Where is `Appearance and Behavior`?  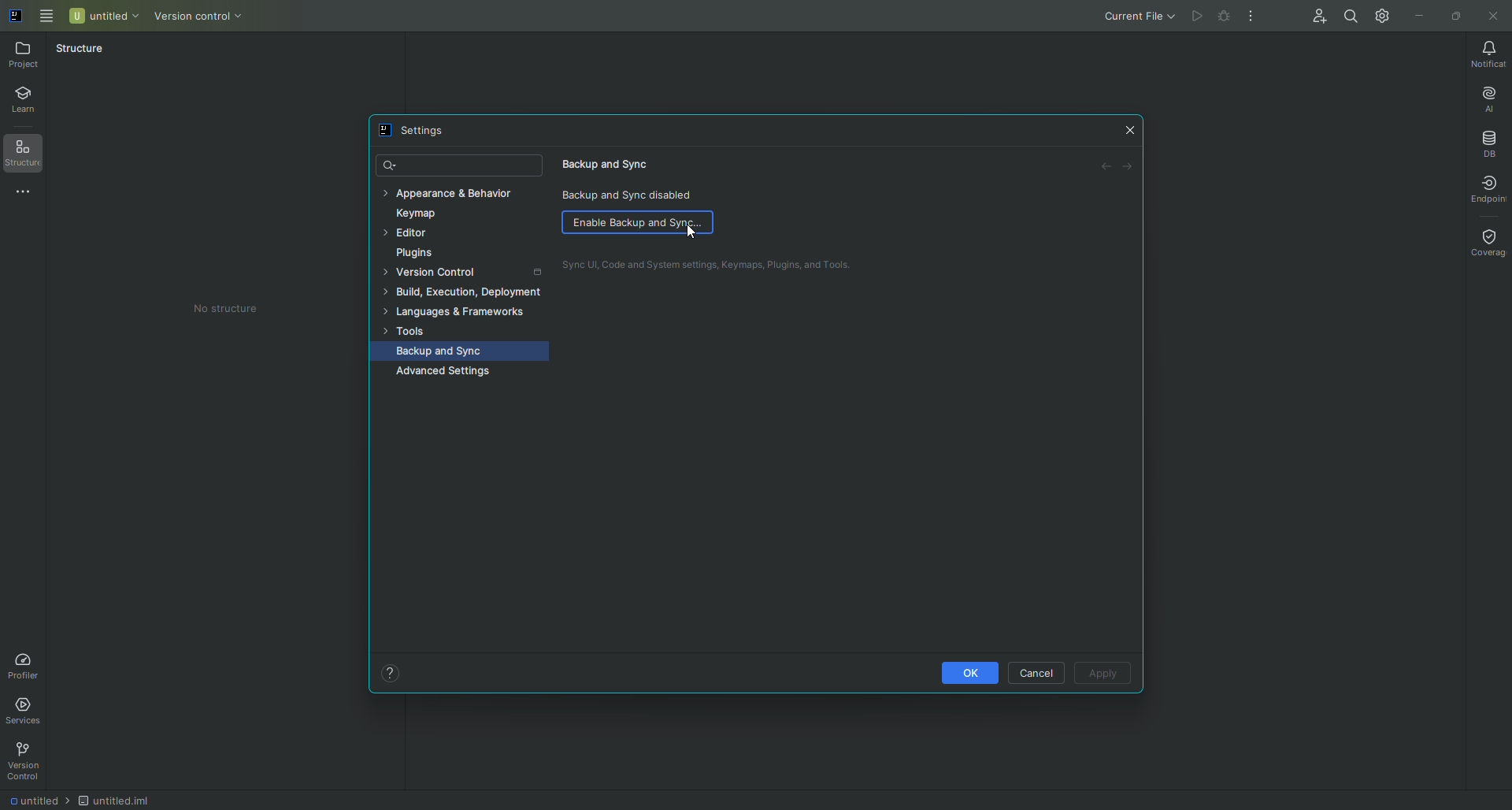 Appearance and Behavior is located at coordinates (458, 194).